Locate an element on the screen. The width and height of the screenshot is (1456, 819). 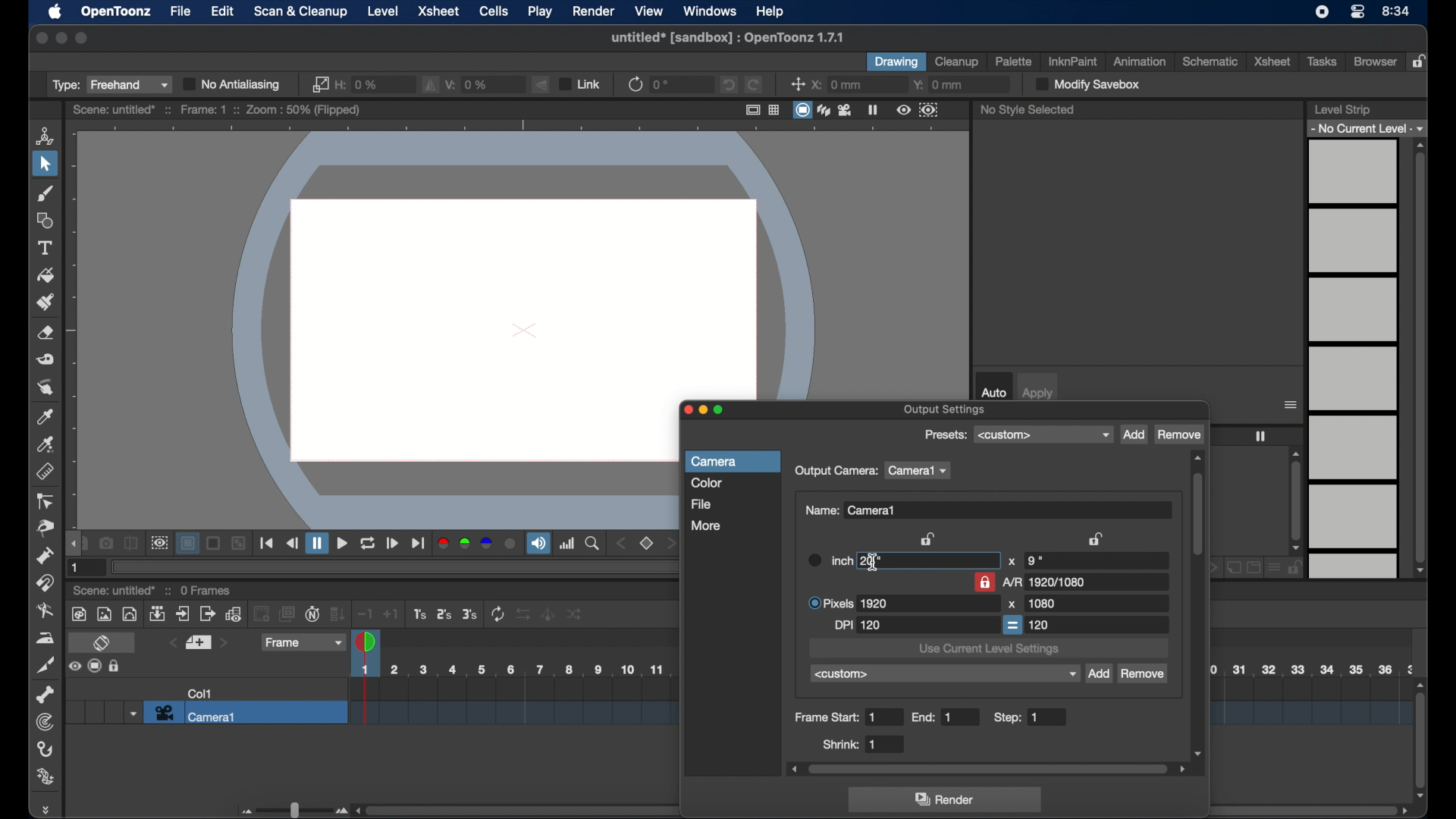
0 is located at coordinates (663, 84).